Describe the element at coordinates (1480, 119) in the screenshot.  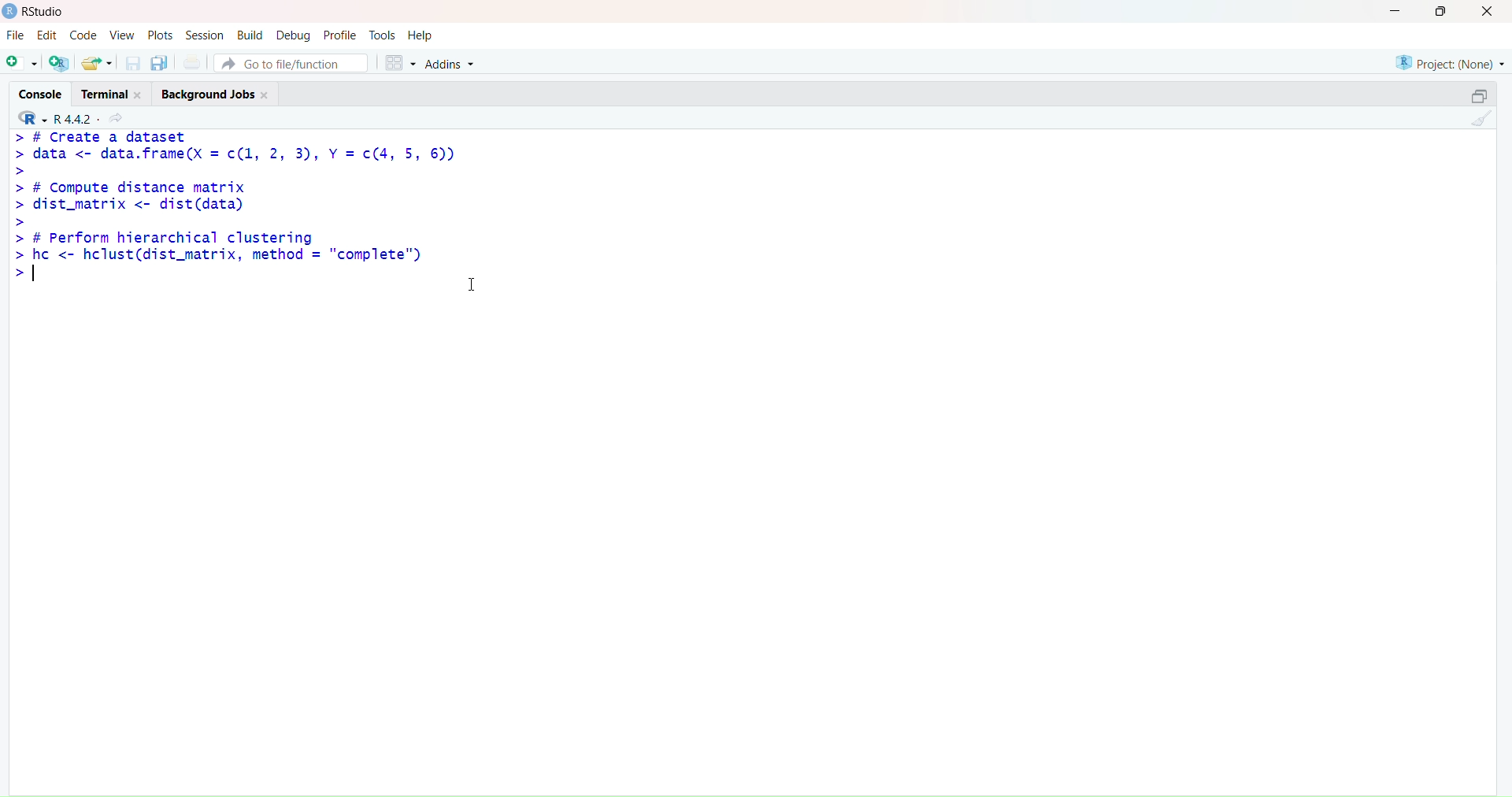
I see `Clear Console (Ctrl + L)` at that location.